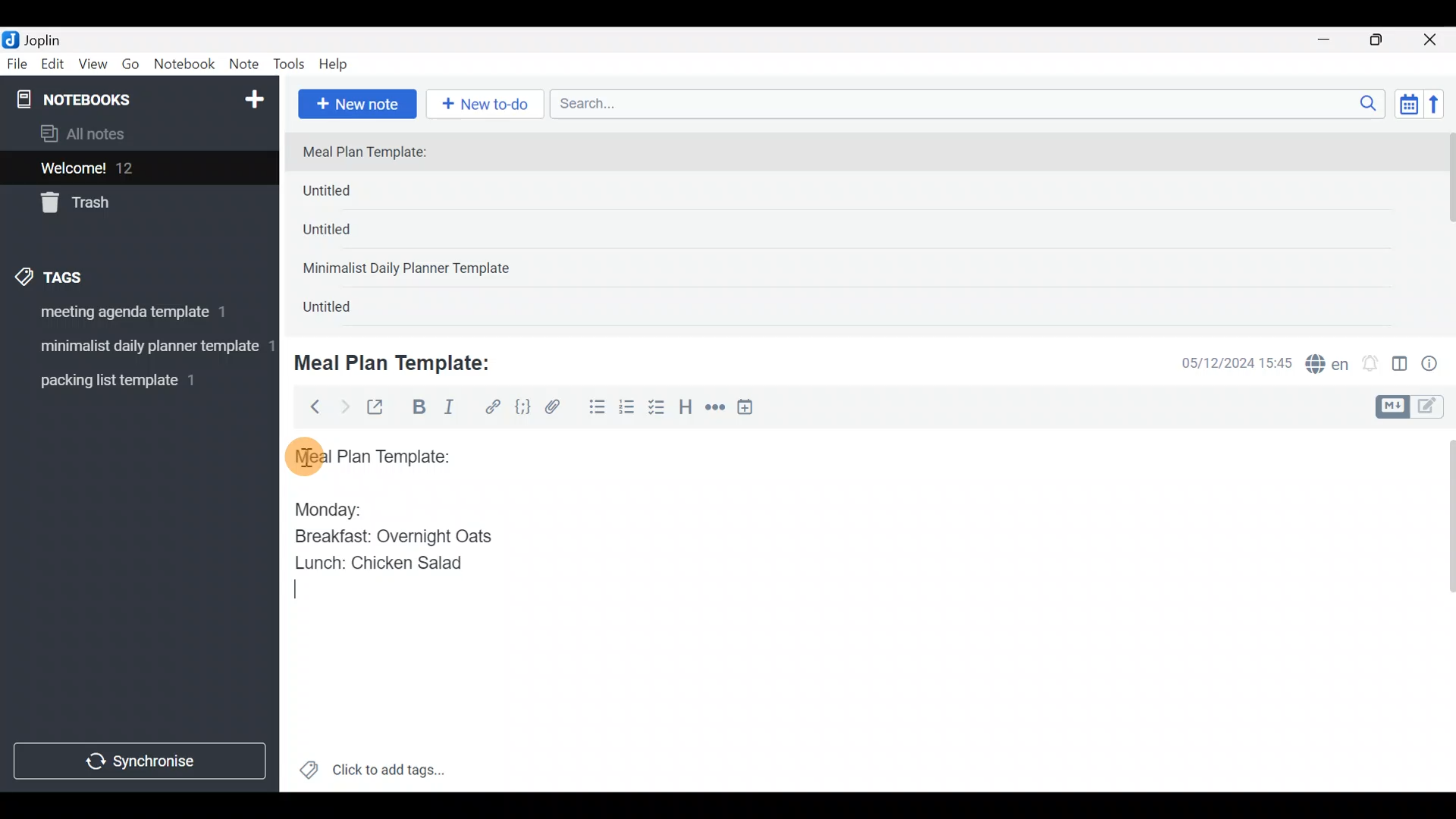  Describe the element at coordinates (1328, 366) in the screenshot. I see `Spelling` at that location.